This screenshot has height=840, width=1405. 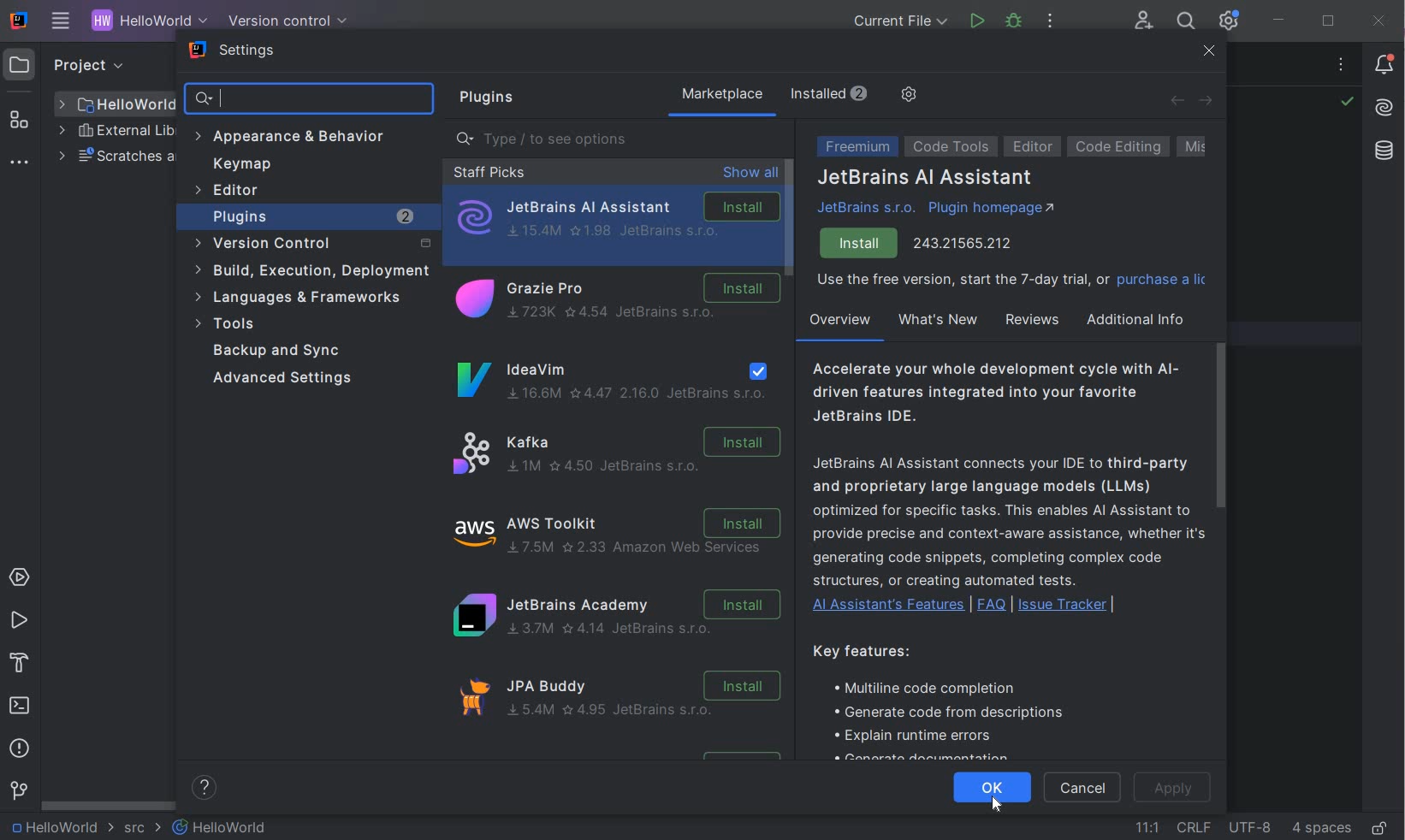 What do you see at coordinates (1320, 827) in the screenshot?
I see `INDENT` at bounding box center [1320, 827].